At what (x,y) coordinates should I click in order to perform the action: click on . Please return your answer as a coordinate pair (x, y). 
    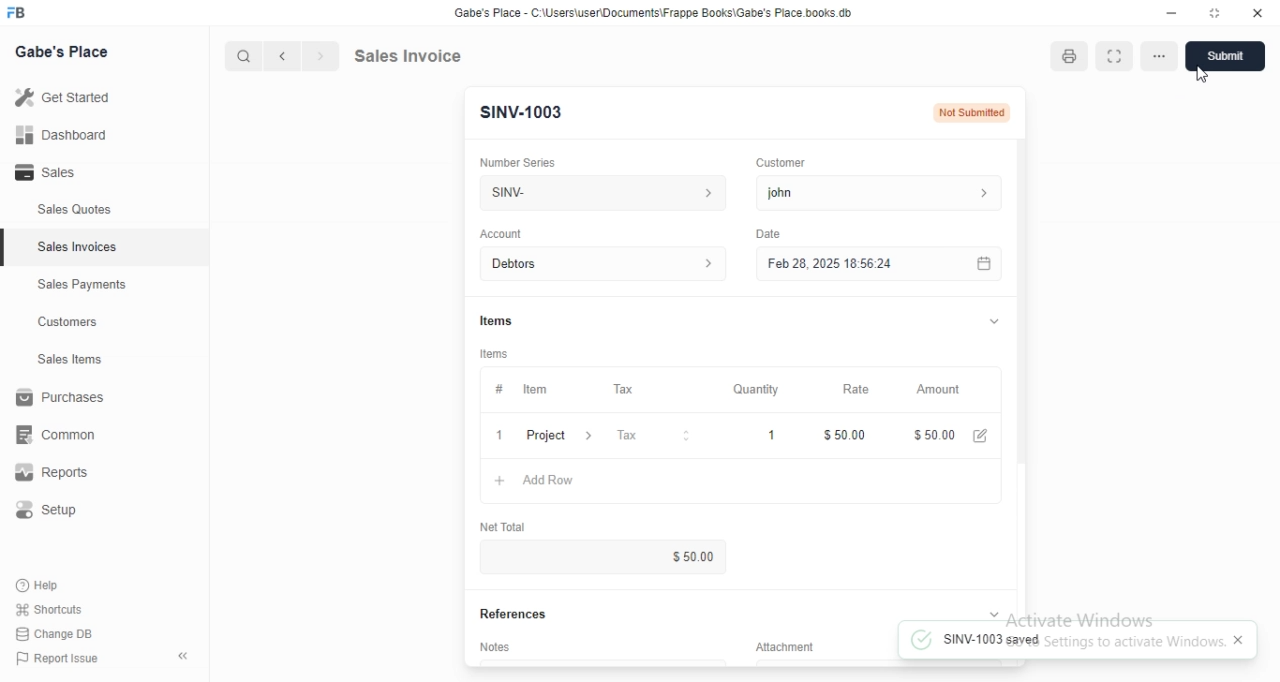
    Looking at the image, I should click on (499, 320).